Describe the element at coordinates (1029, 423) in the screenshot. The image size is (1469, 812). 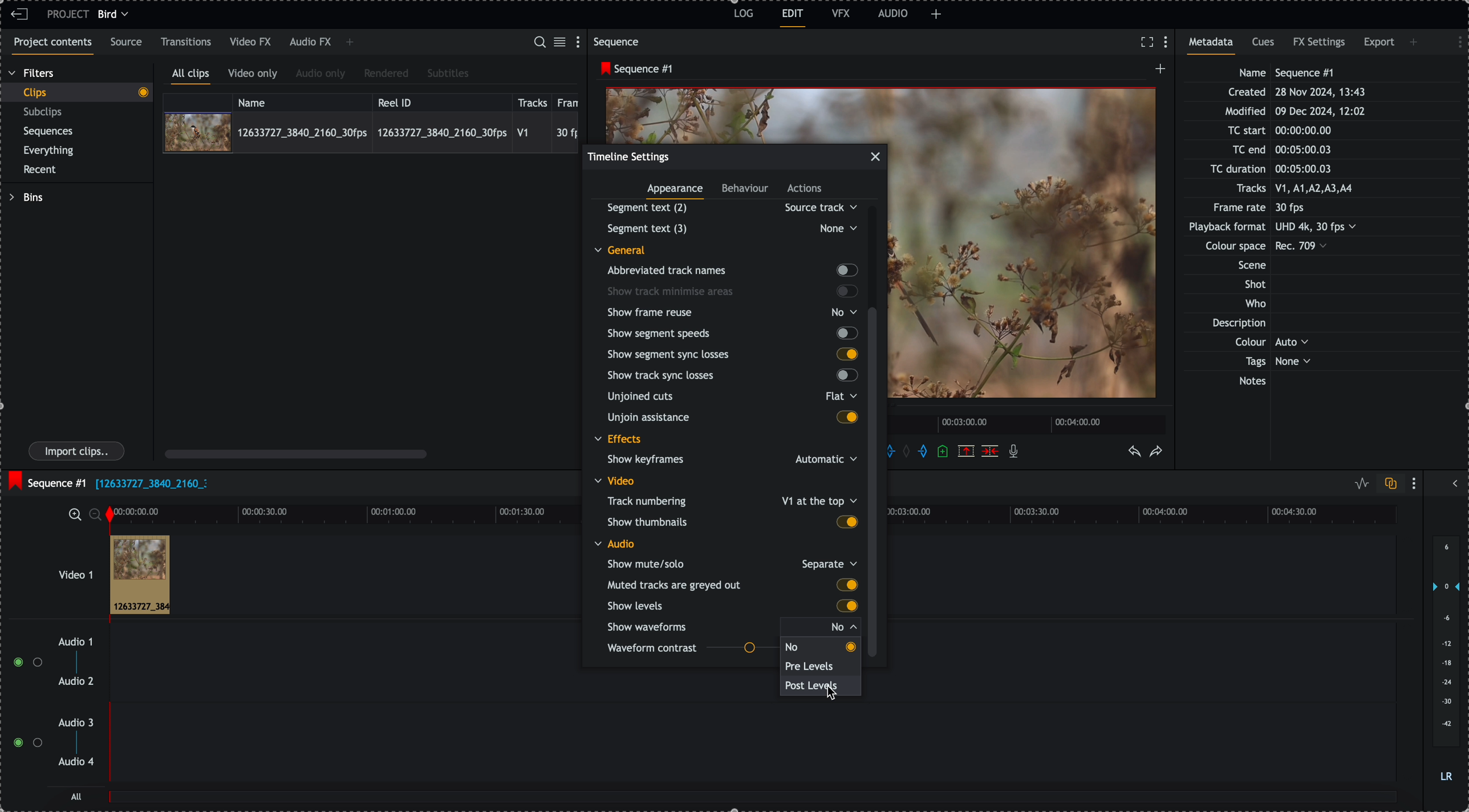
I see `timeline` at that location.